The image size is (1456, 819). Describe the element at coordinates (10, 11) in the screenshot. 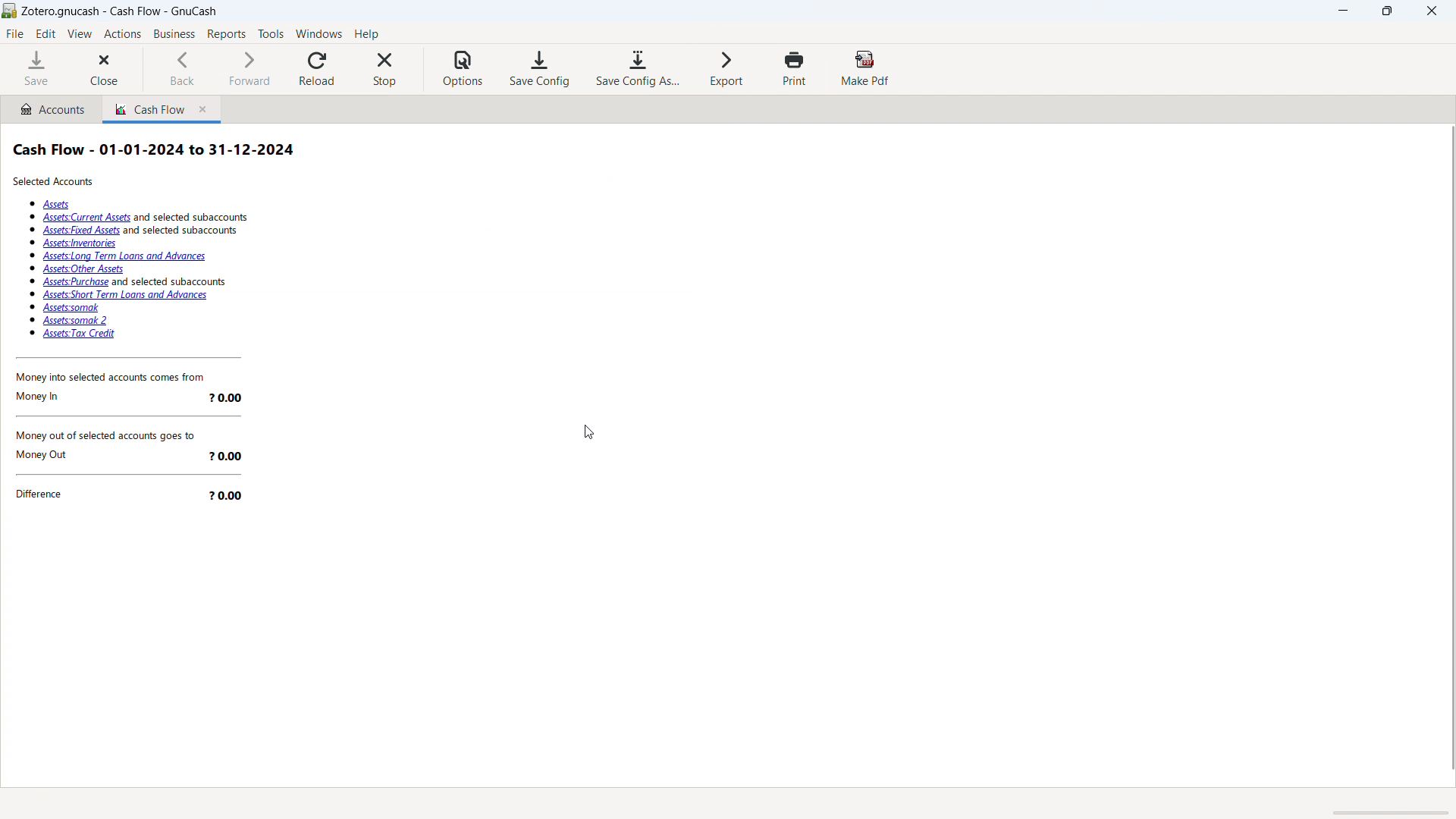

I see `logo` at that location.